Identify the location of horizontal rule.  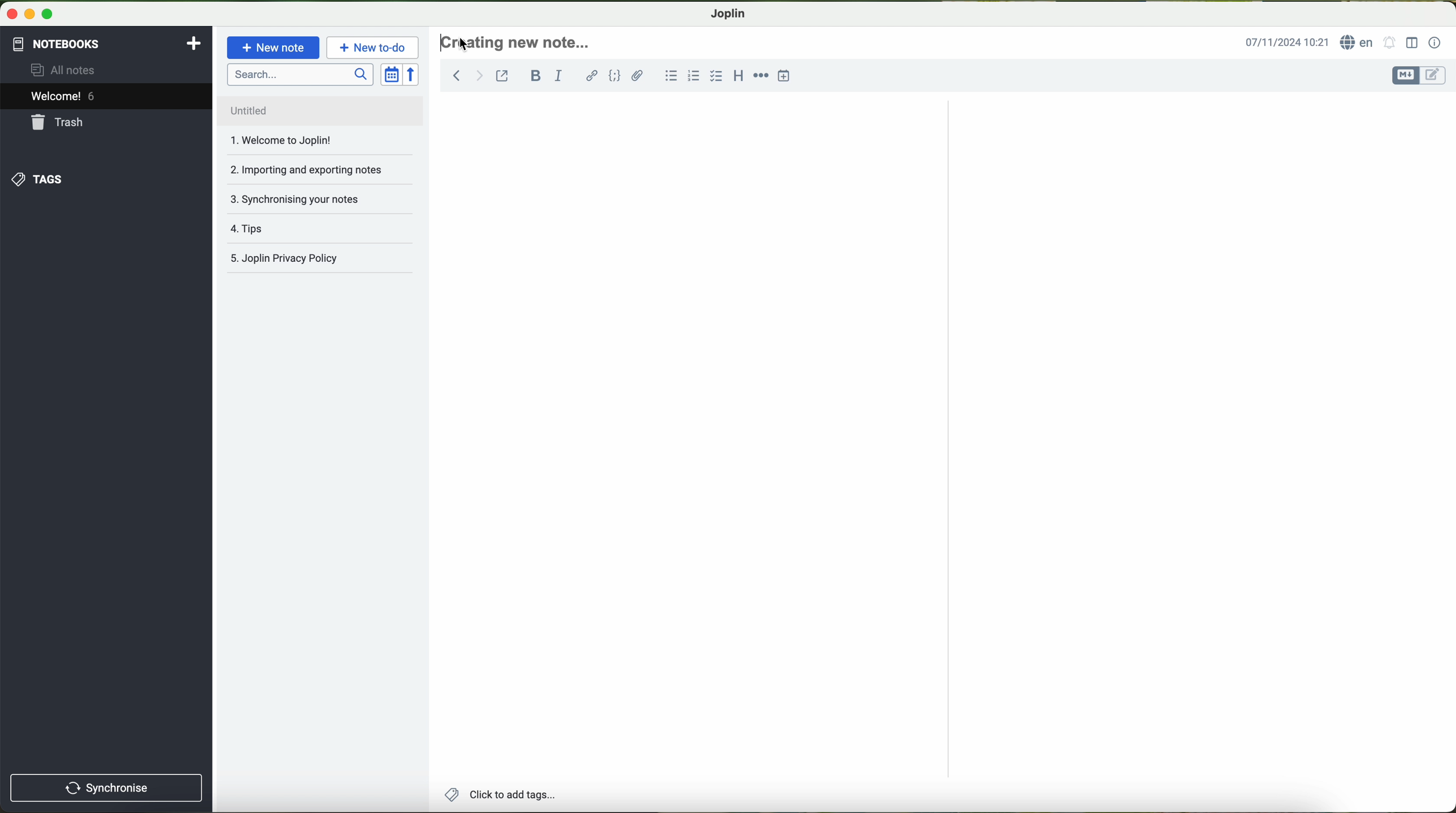
(761, 76).